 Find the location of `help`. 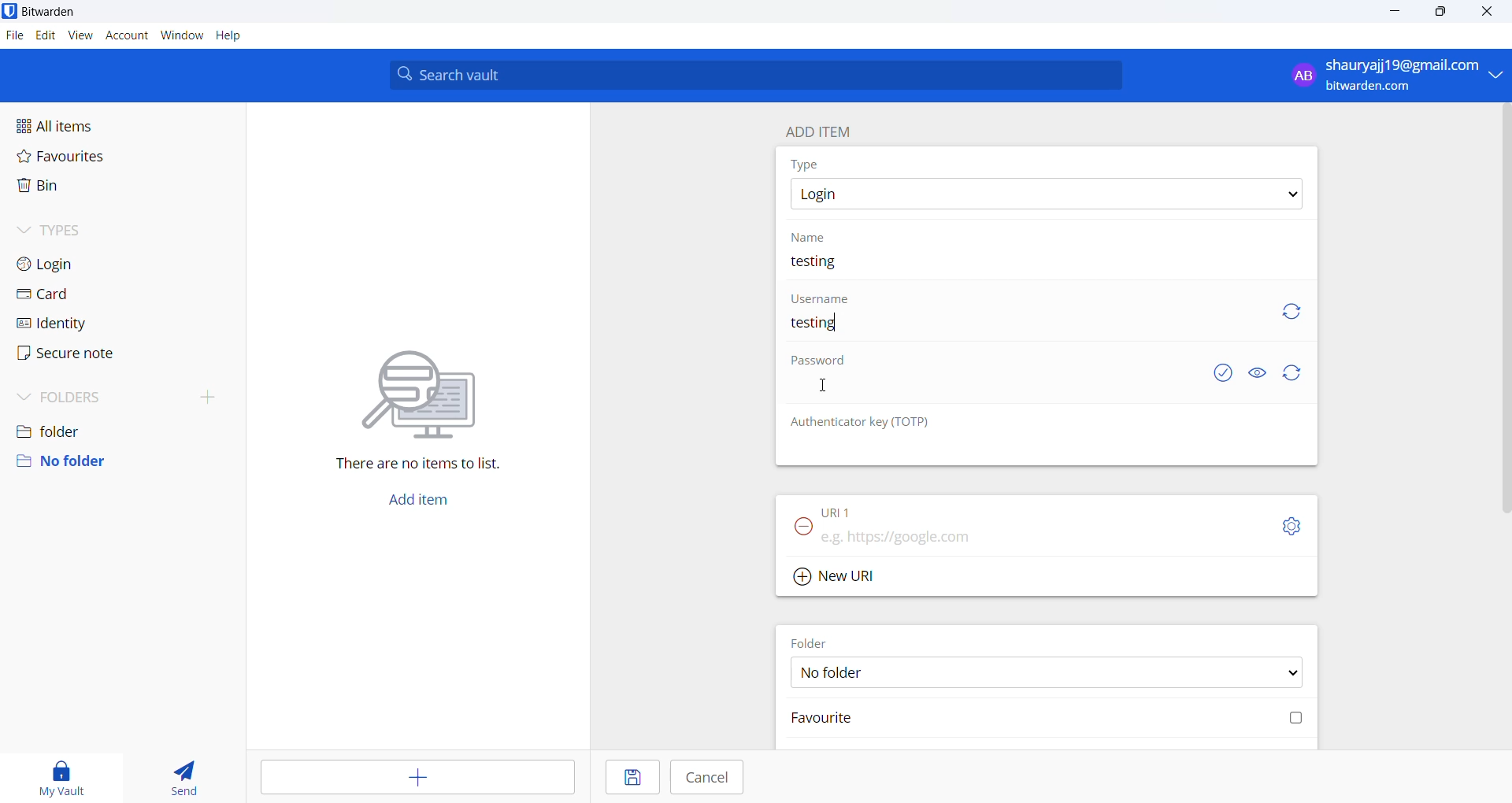

help is located at coordinates (231, 37).